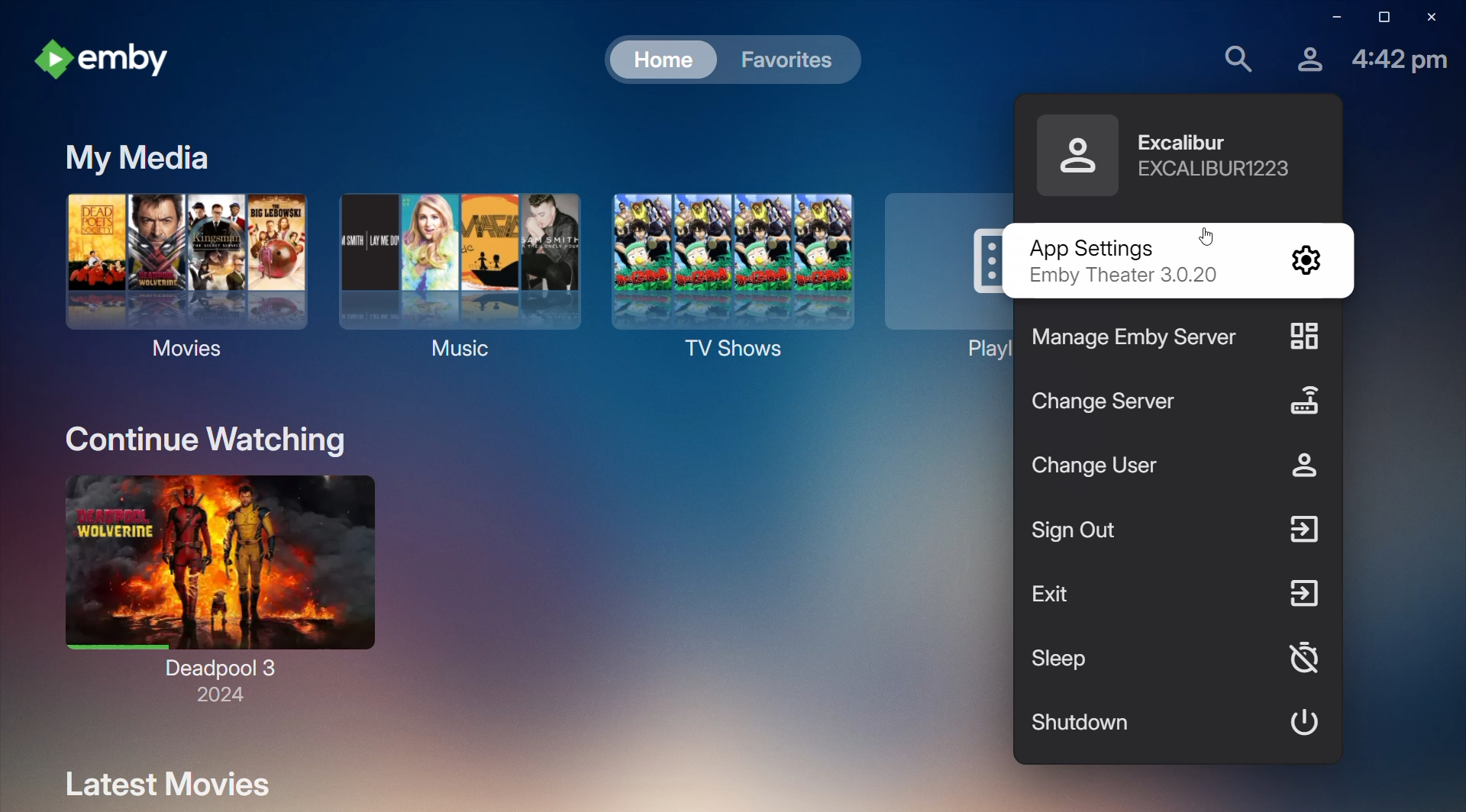 This screenshot has width=1466, height=812. Describe the element at coordinates (1173, 718) in the screenshot. I see `Shutdown` at that location.